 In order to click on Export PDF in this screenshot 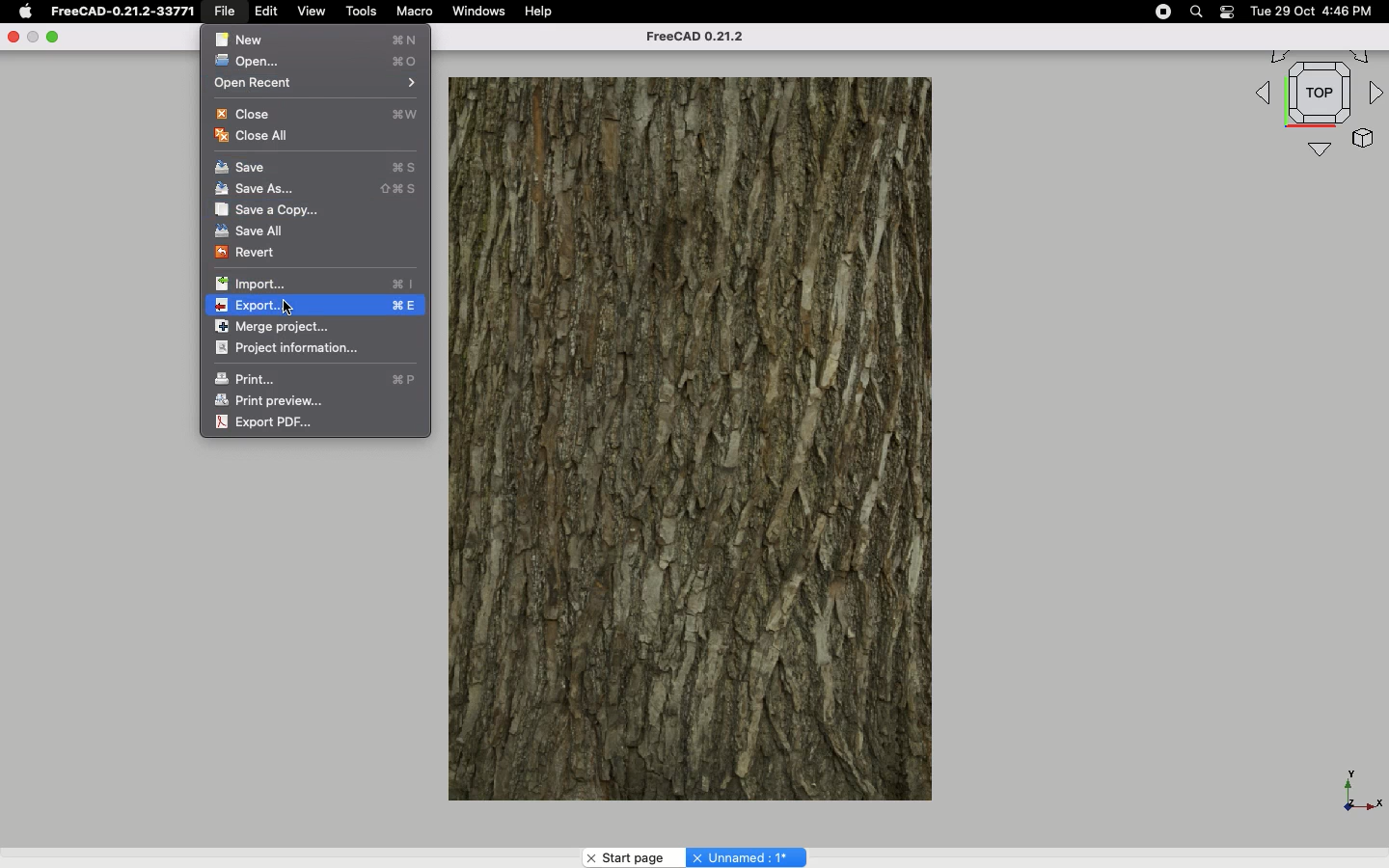, I will do `click(267, 424)`.